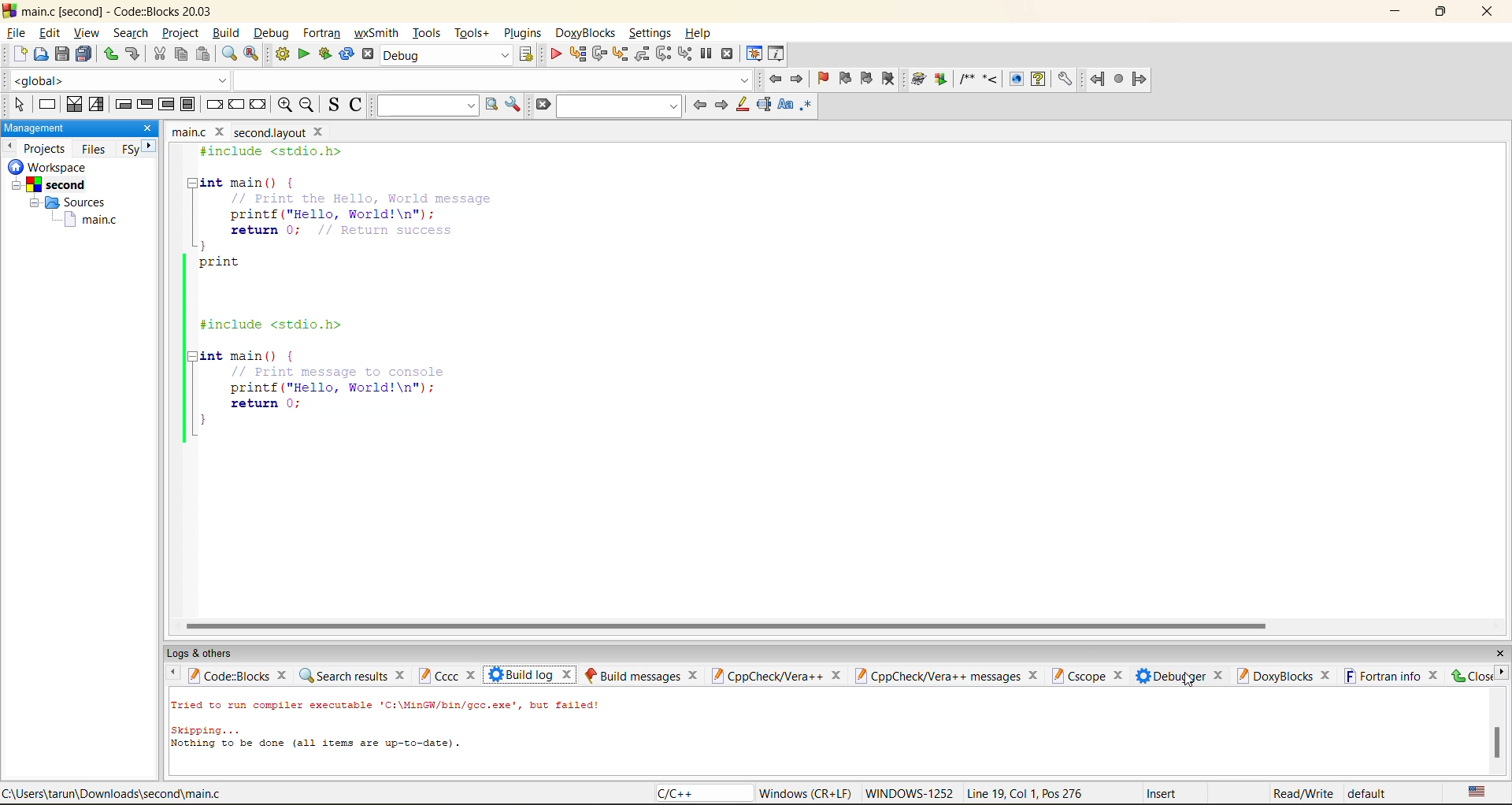  What do you see at coordinates (117, 793) in the screenshot?
I see `file location` at bounding box center [117, 793].